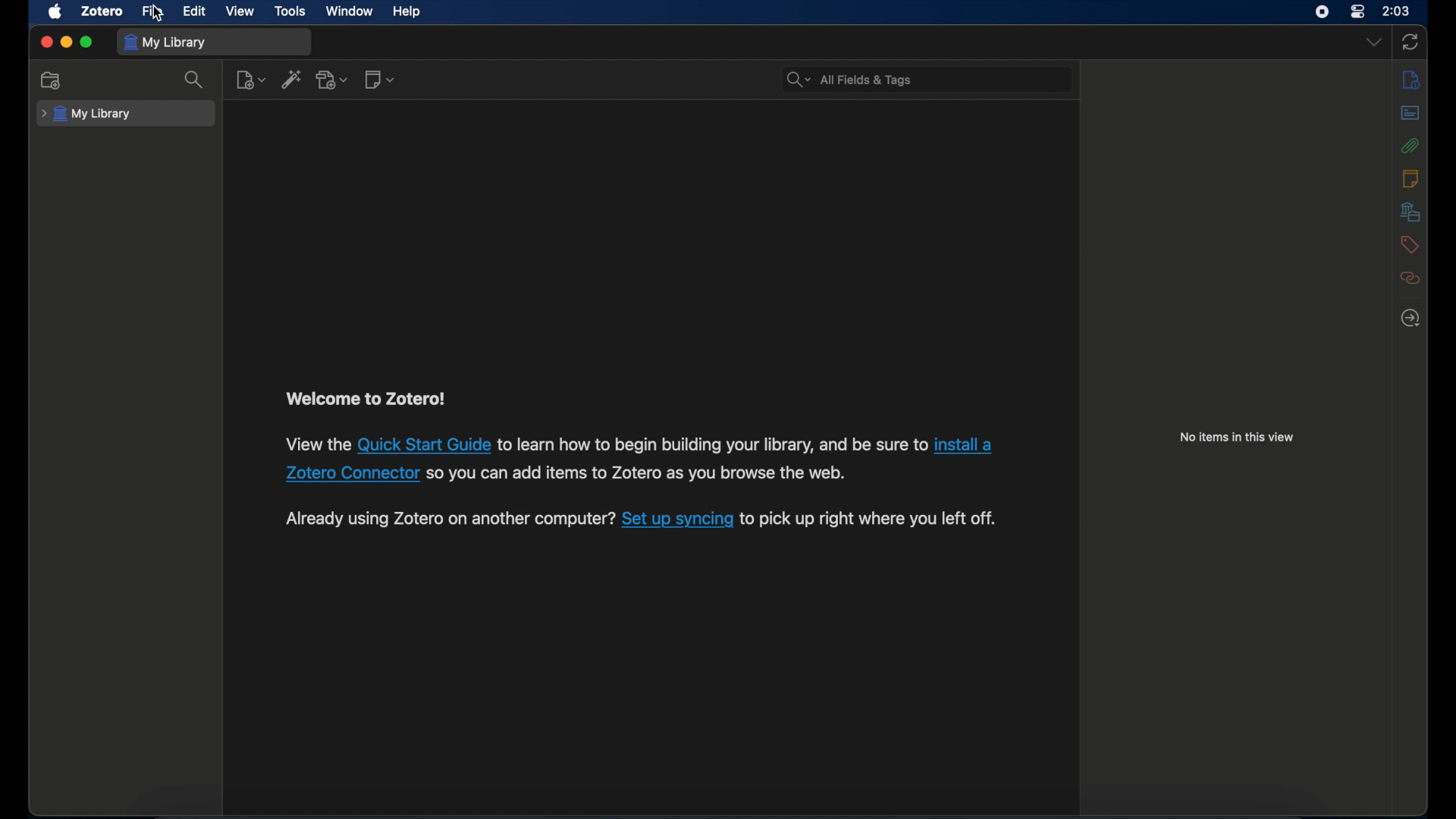 This screenshot has width=1456, height=819. Describe the element at coordinates (158, 12) in the screenshot. I see `cursor` at that location.